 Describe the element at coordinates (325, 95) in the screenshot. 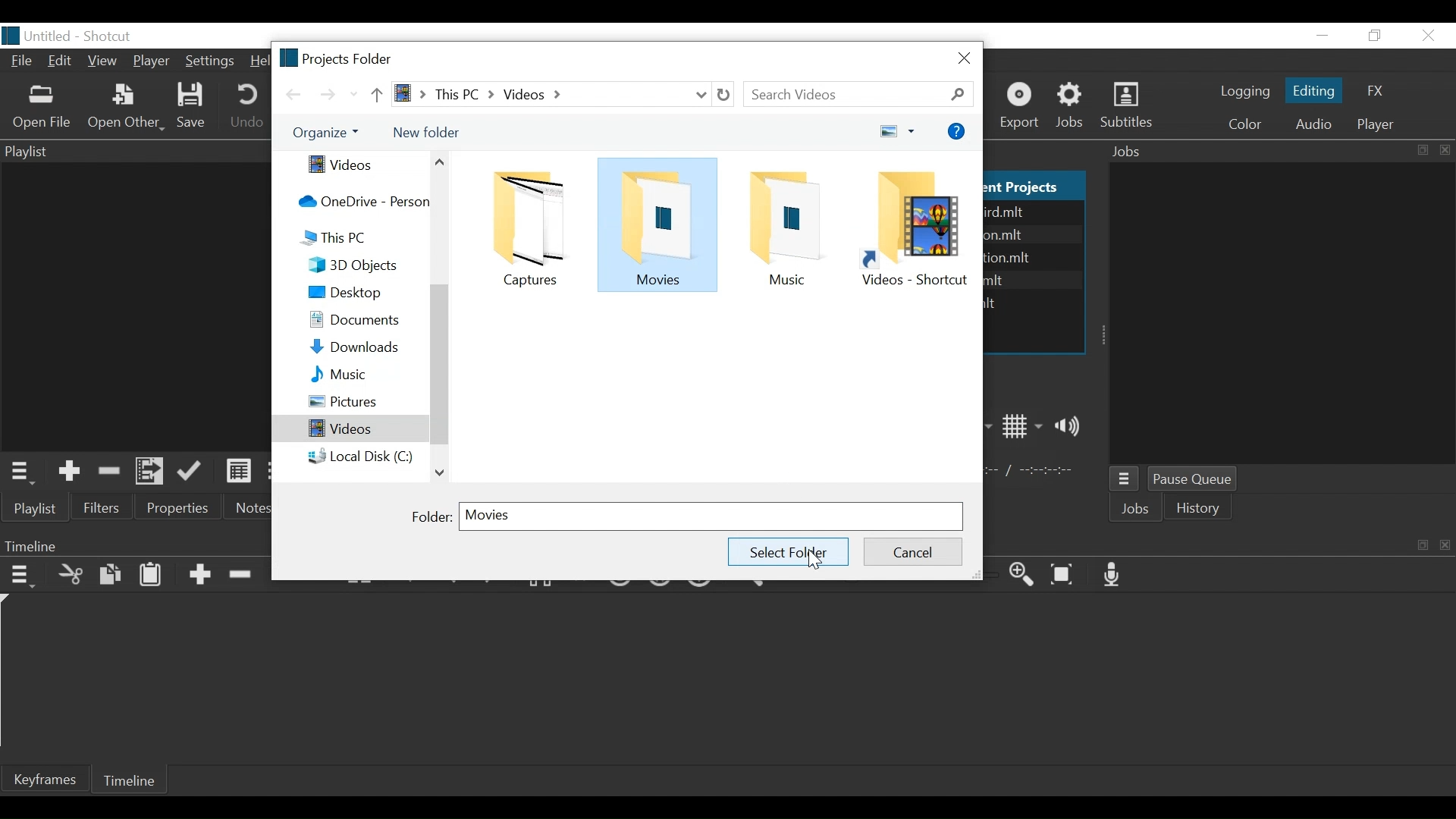

I see `Go Forward` at that location.